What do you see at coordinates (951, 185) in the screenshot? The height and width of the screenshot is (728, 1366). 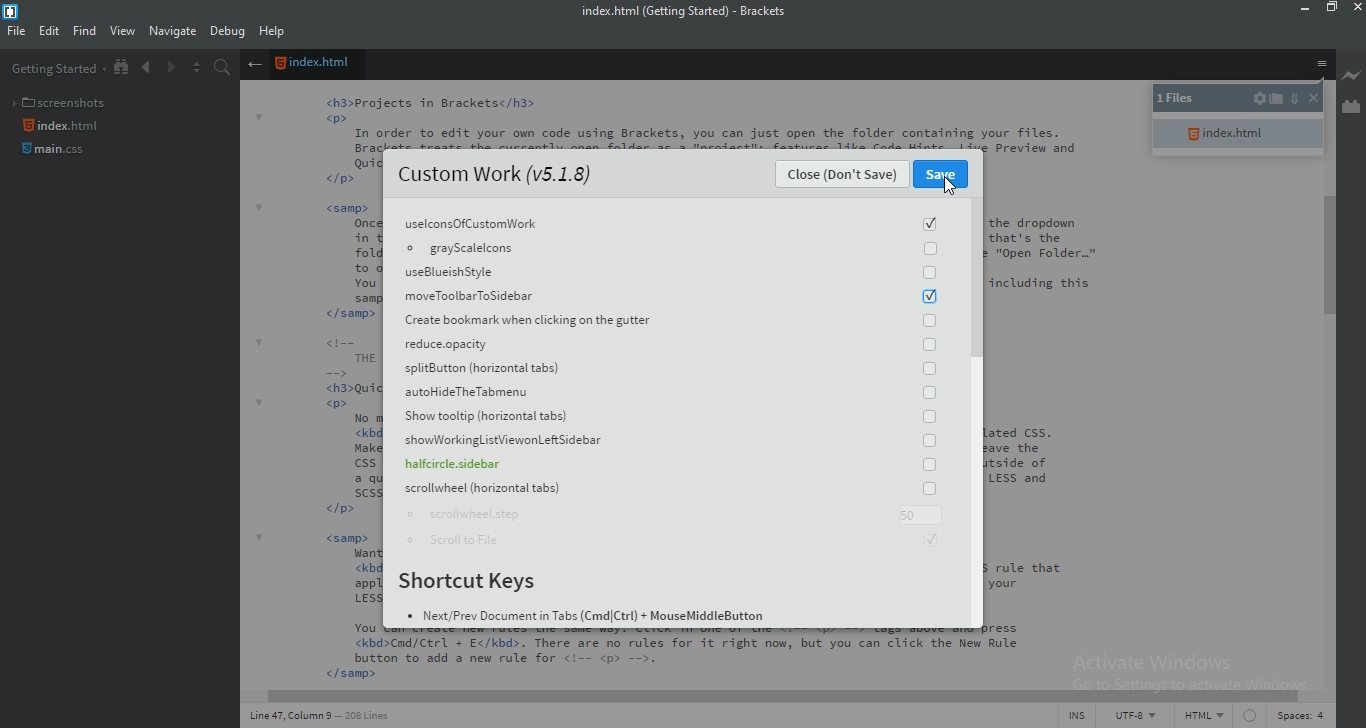 I see `cursor on save ` at bounding box center [951, 185].